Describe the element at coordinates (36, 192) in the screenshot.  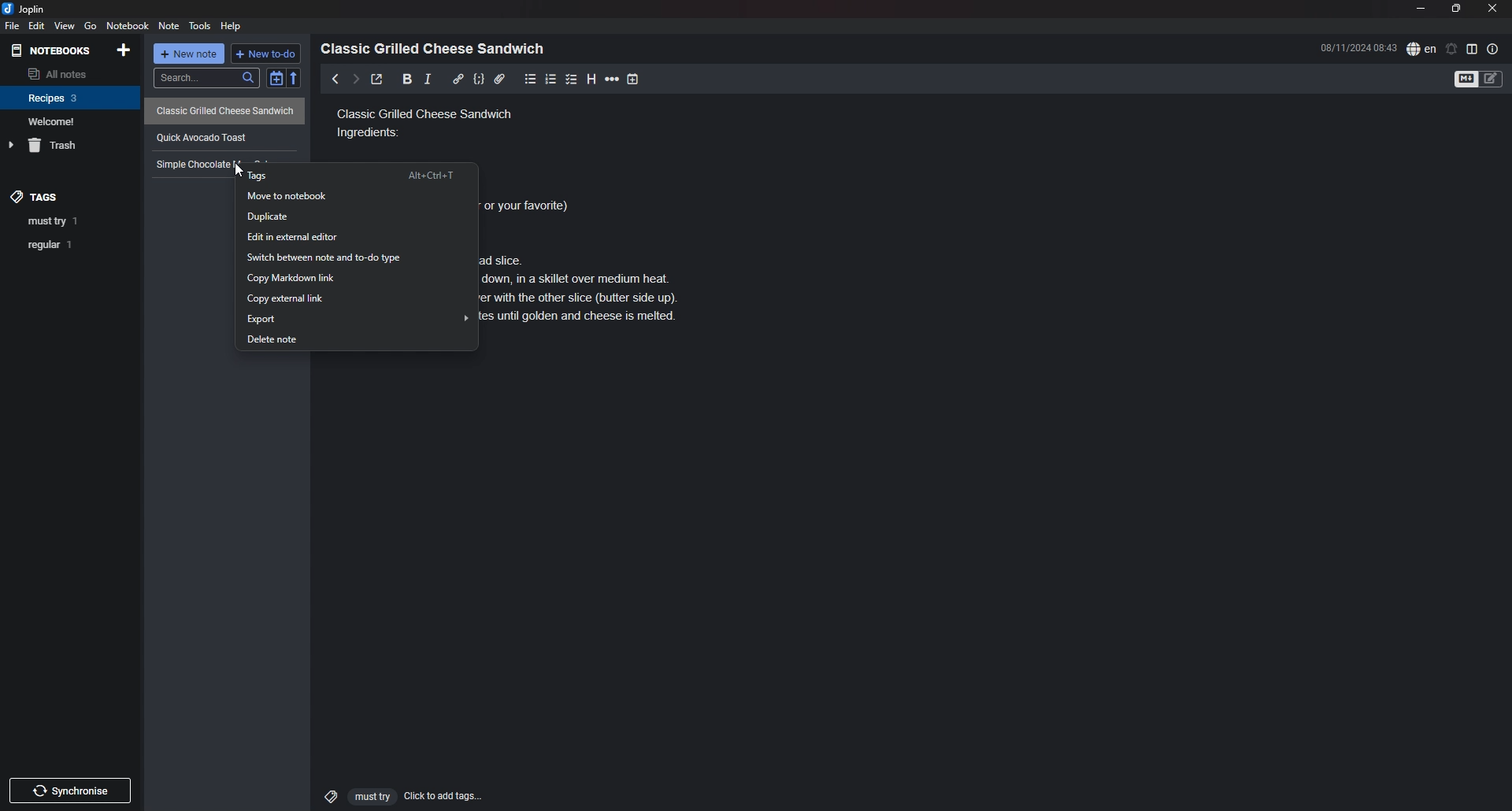
I see `tags` at that location.